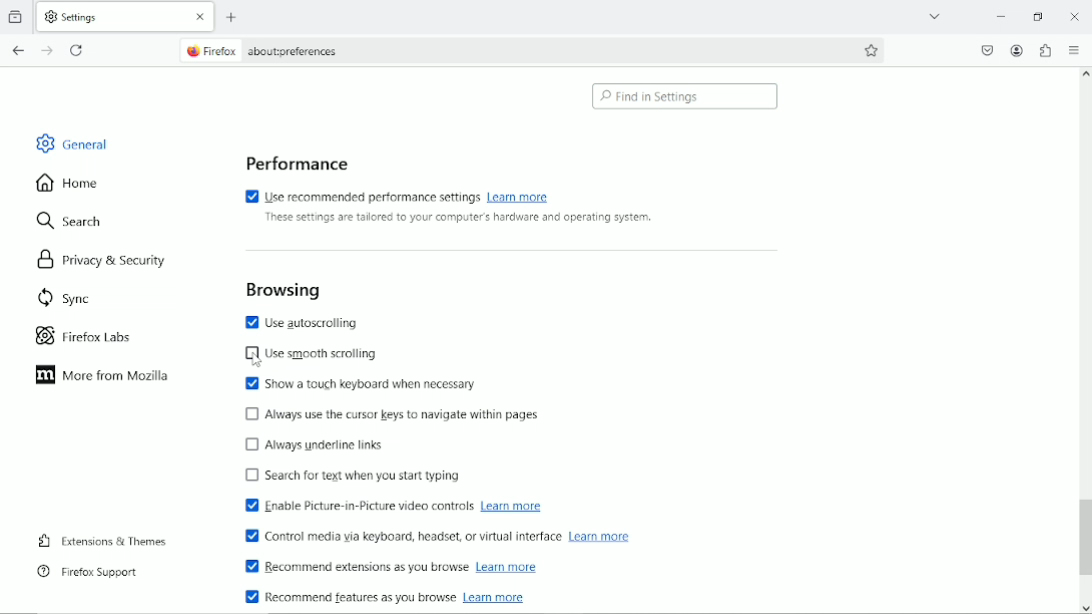 Image resolution: width=1092 pixels, height=614 pixels. I want to click on list all tabs, so click(935, 14).